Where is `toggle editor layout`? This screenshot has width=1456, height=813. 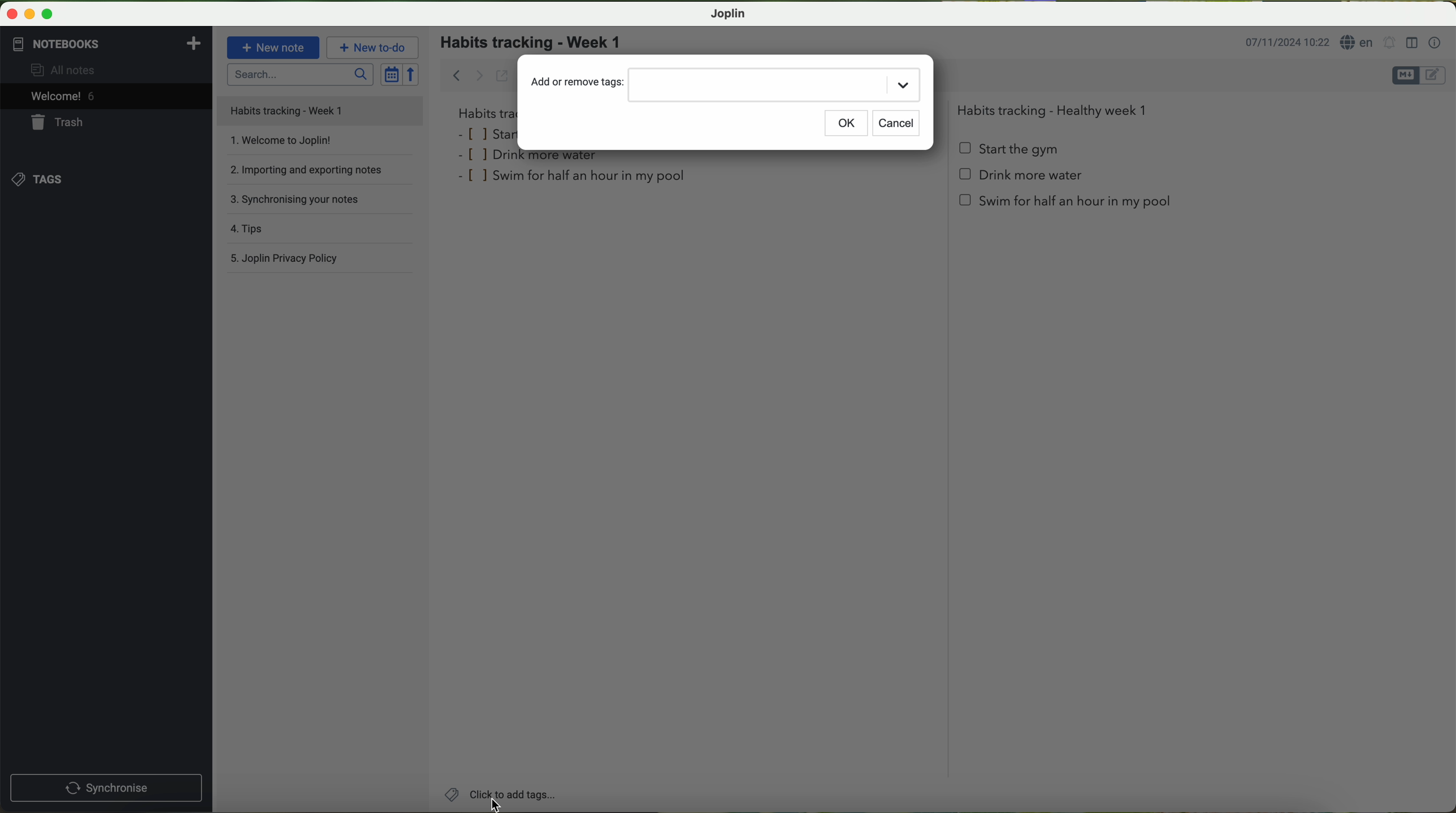
toggle editor layout is located at coordinates (1412, 43).